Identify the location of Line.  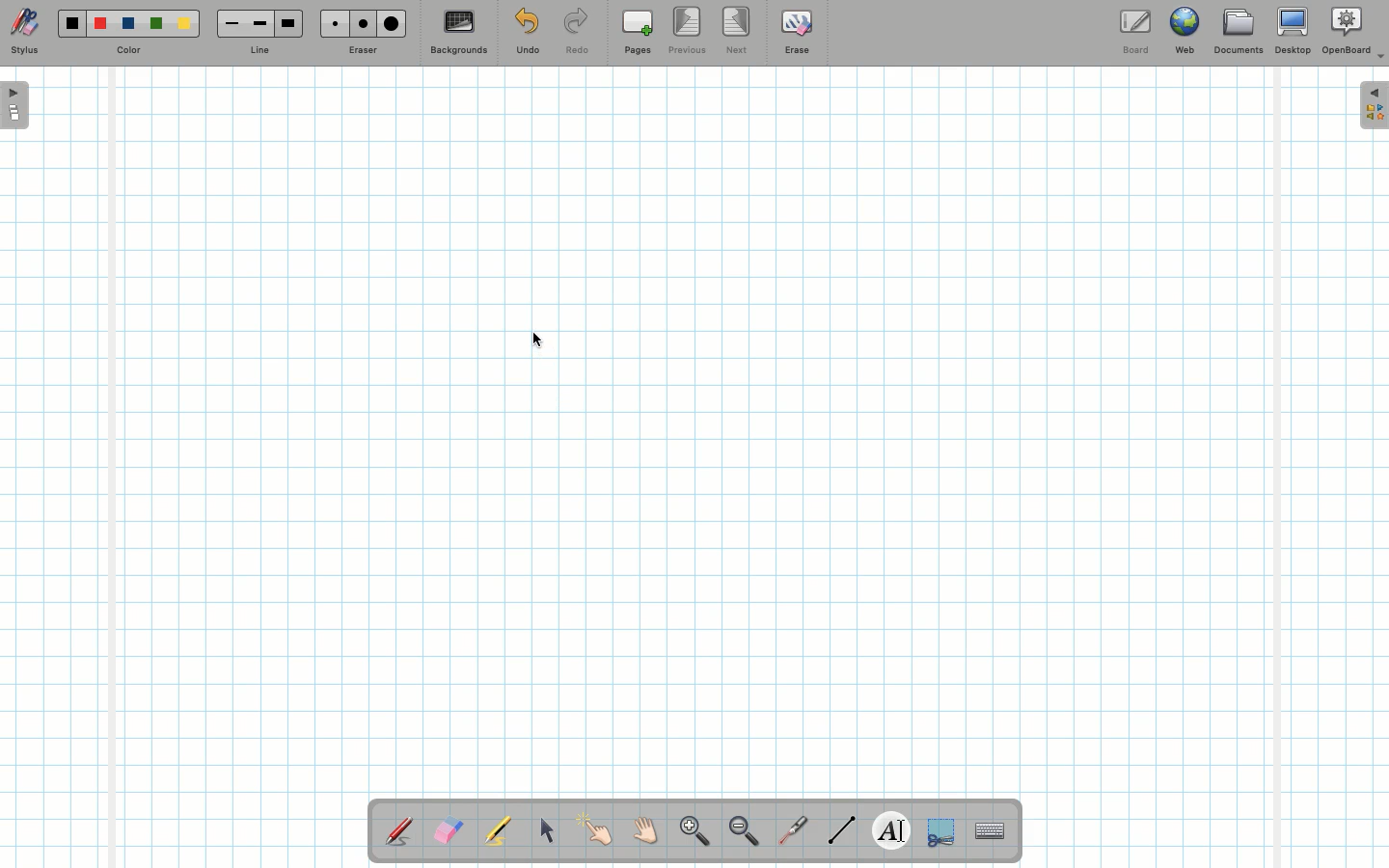
(842, 829).